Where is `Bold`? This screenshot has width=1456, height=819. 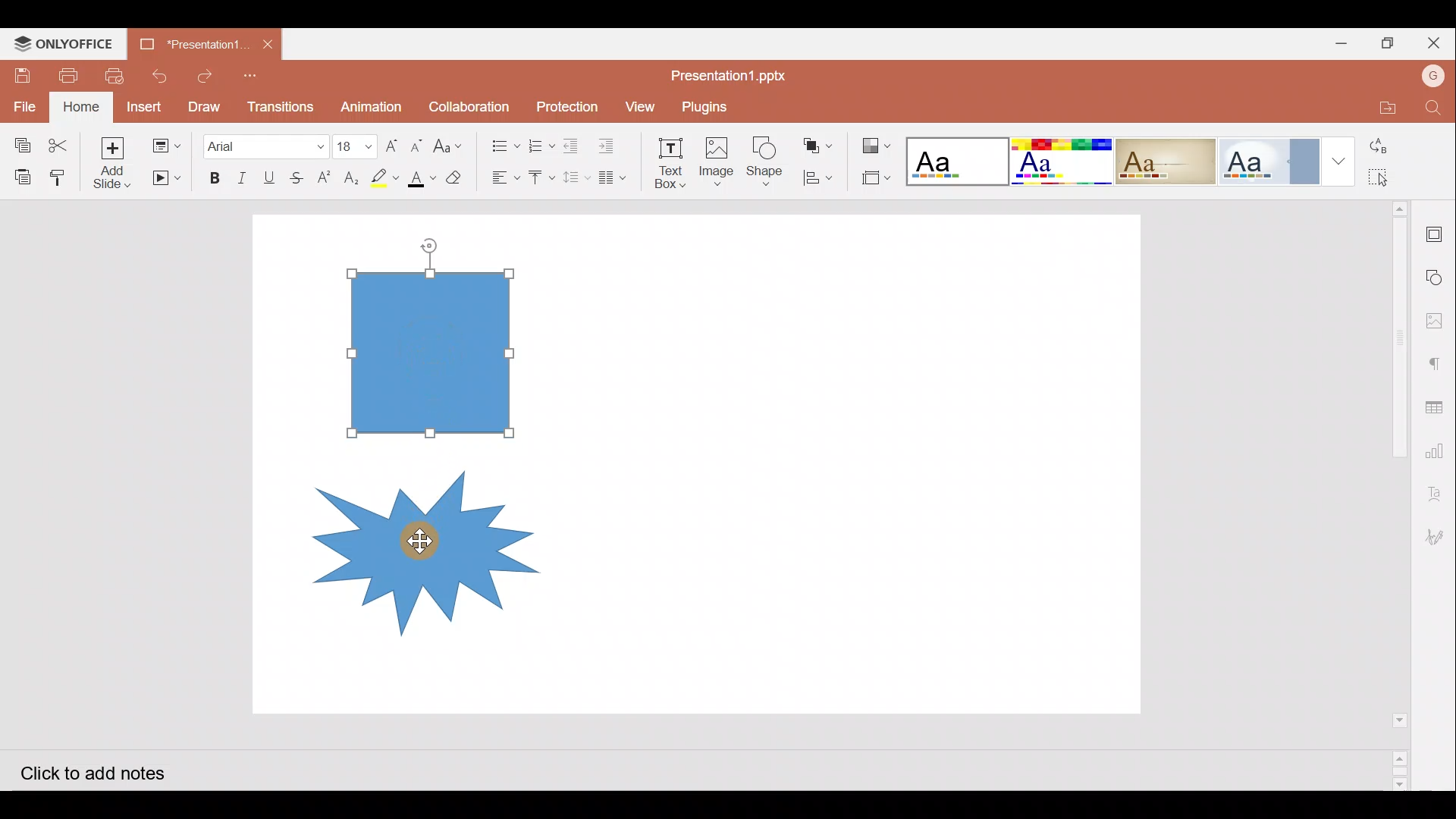 Bold is located at coordinates (213, 175).